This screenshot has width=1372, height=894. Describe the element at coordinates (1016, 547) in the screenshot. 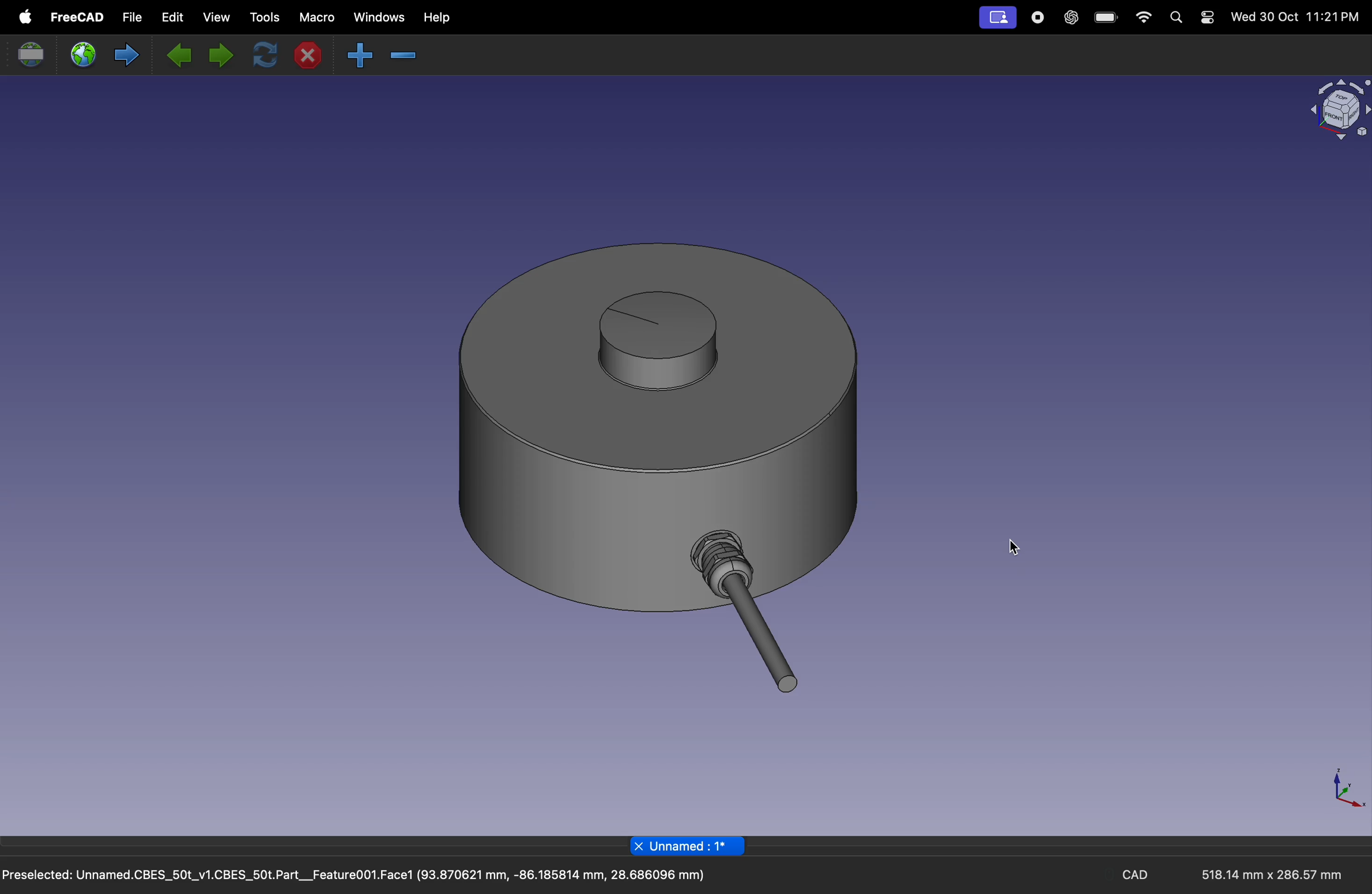

I see `cursor` at that location.